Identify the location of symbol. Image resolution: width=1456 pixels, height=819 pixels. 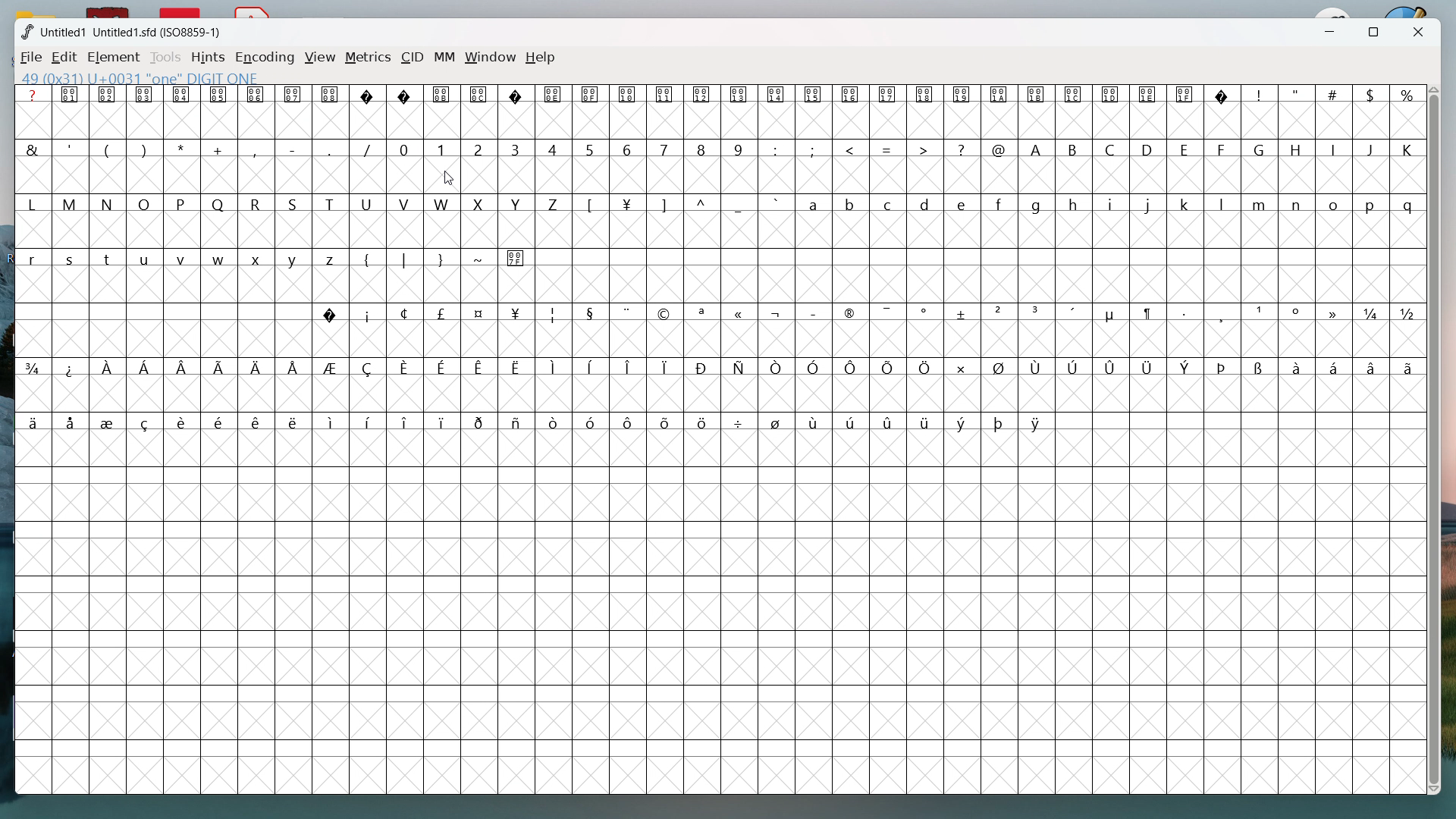
(739, 95).